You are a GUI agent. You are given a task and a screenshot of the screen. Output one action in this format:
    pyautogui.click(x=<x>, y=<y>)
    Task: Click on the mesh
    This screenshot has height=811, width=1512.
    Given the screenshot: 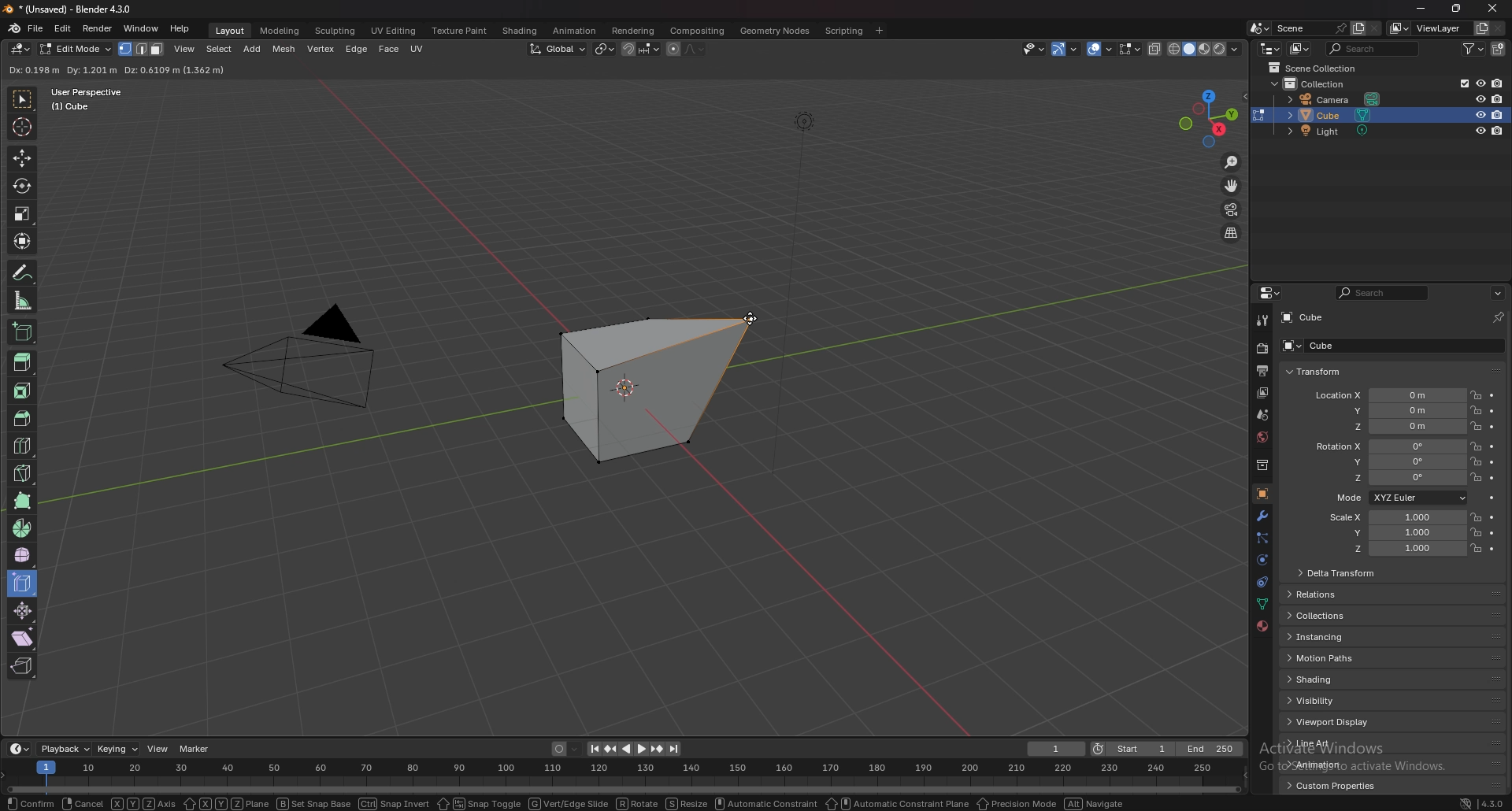 What is the action you would take?
    pyautogui.click(x=284, y=50)
    